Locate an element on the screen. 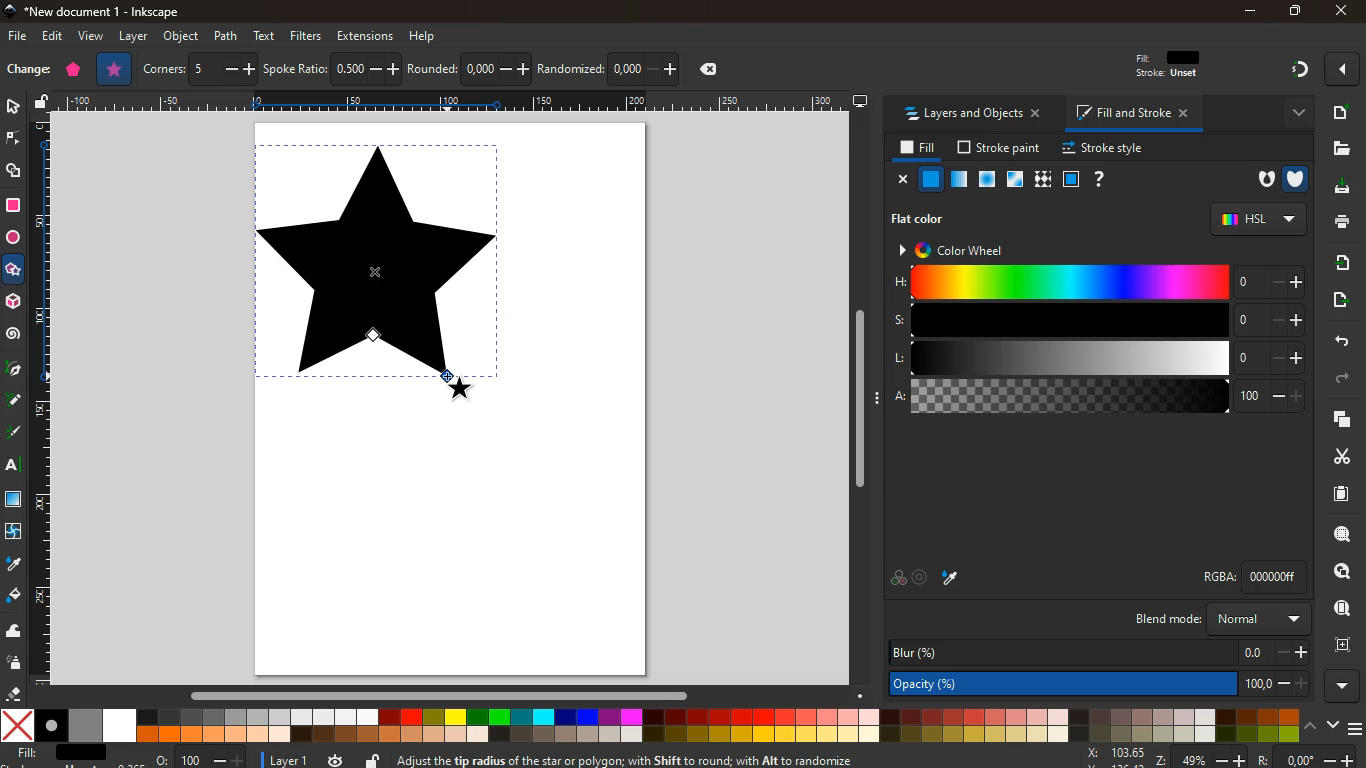 The image size is (1366, 768). s is located at coordinates (1100, 320).